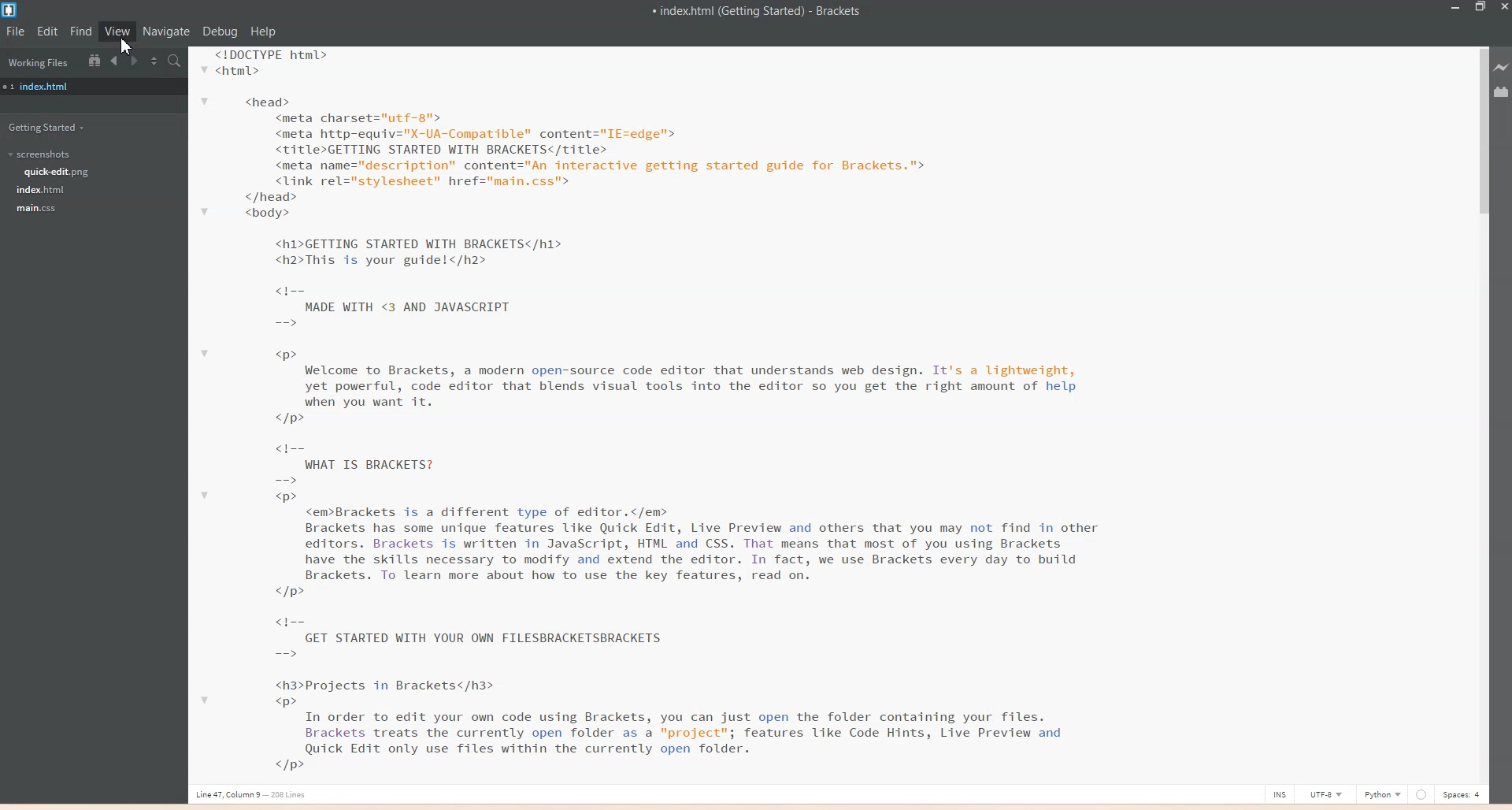 Image resolution: width=1512 pixels, height=810 pixels. I want to click on View, so click(117, 31).